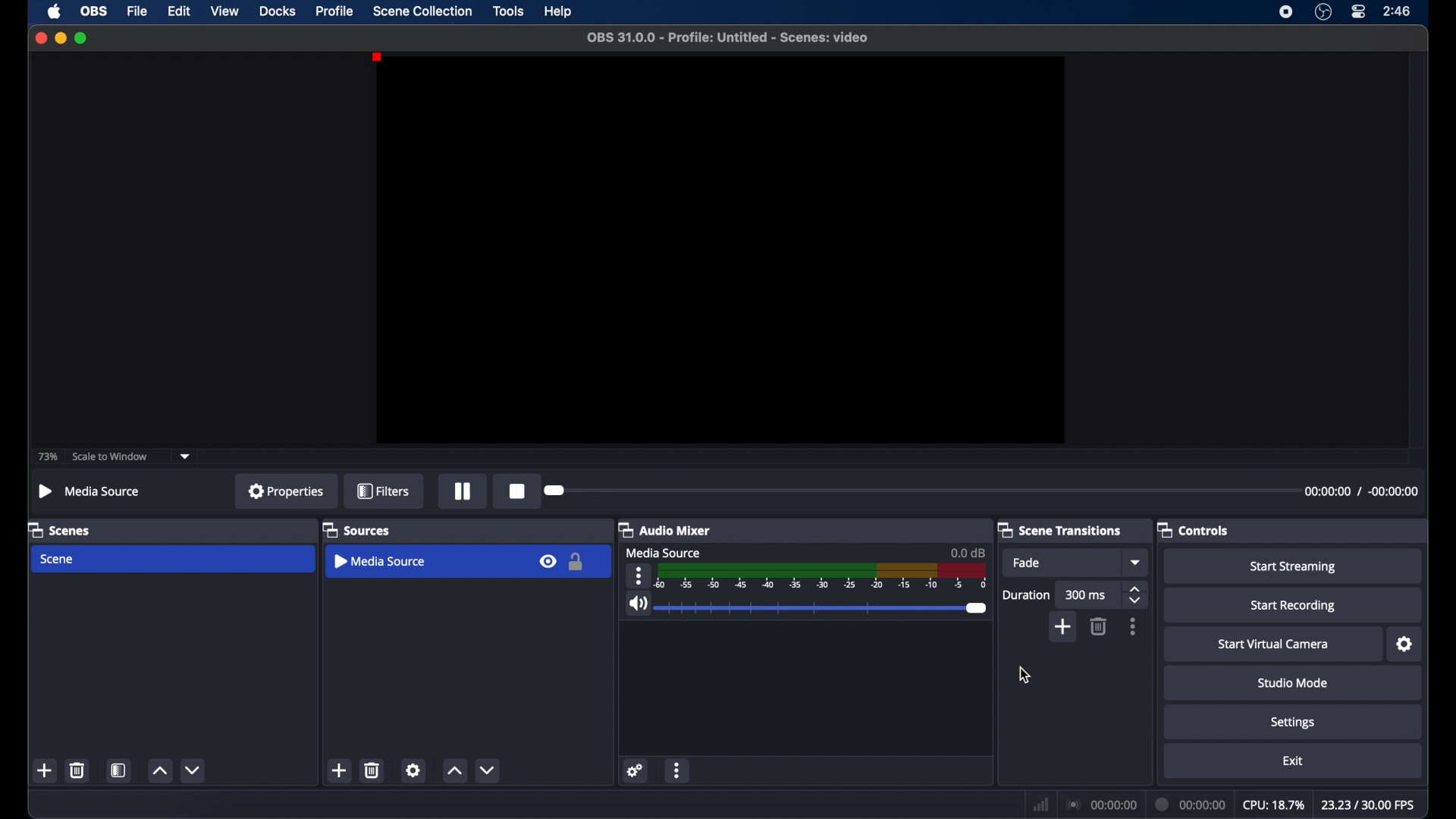 The image size is (1456, 819). What do you see at coordinates (677, 771) in the screenshot?
I see `moreoptions` at bounding box center [677, 771].